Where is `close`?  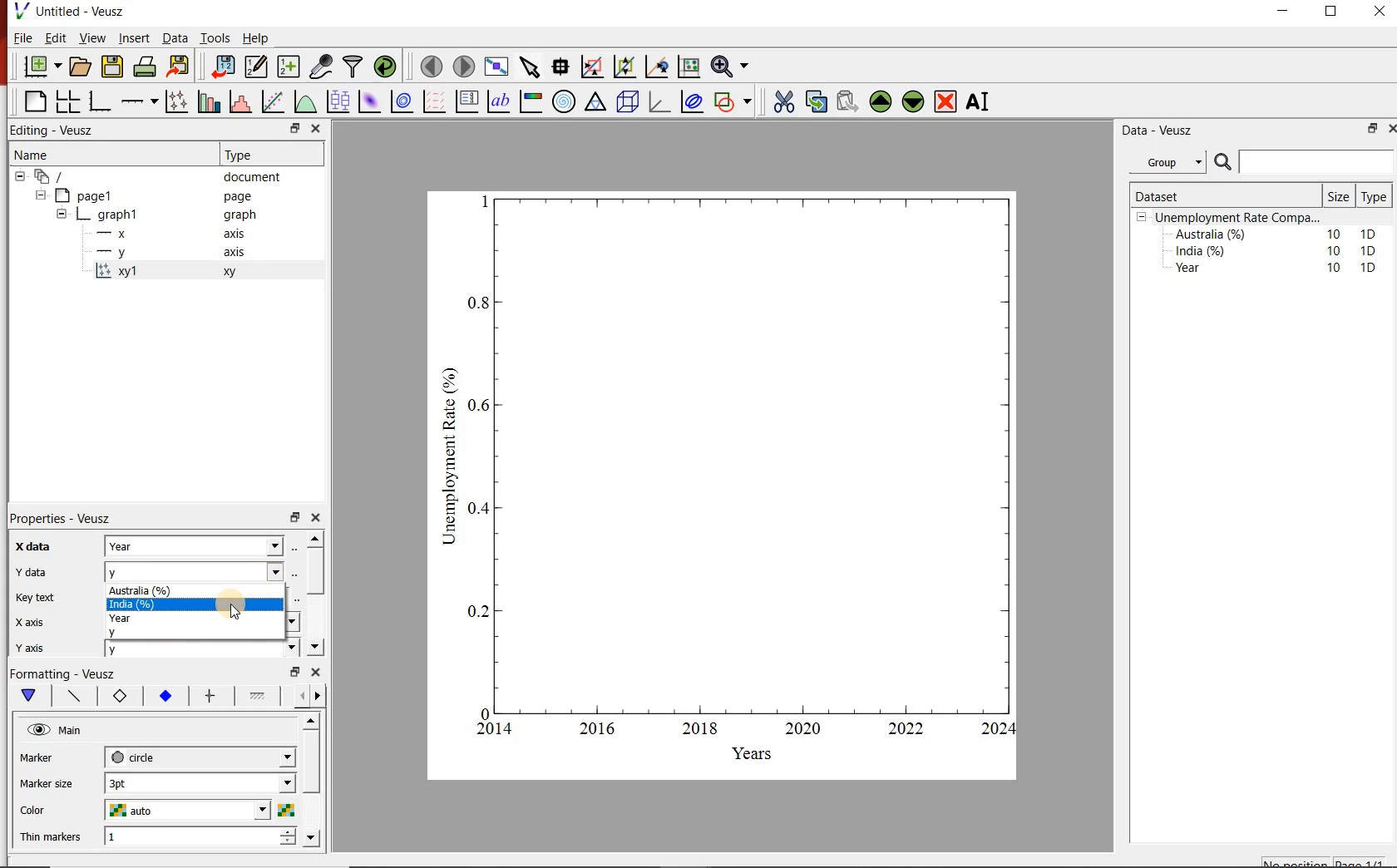
close is located at coordinates (317, 672).